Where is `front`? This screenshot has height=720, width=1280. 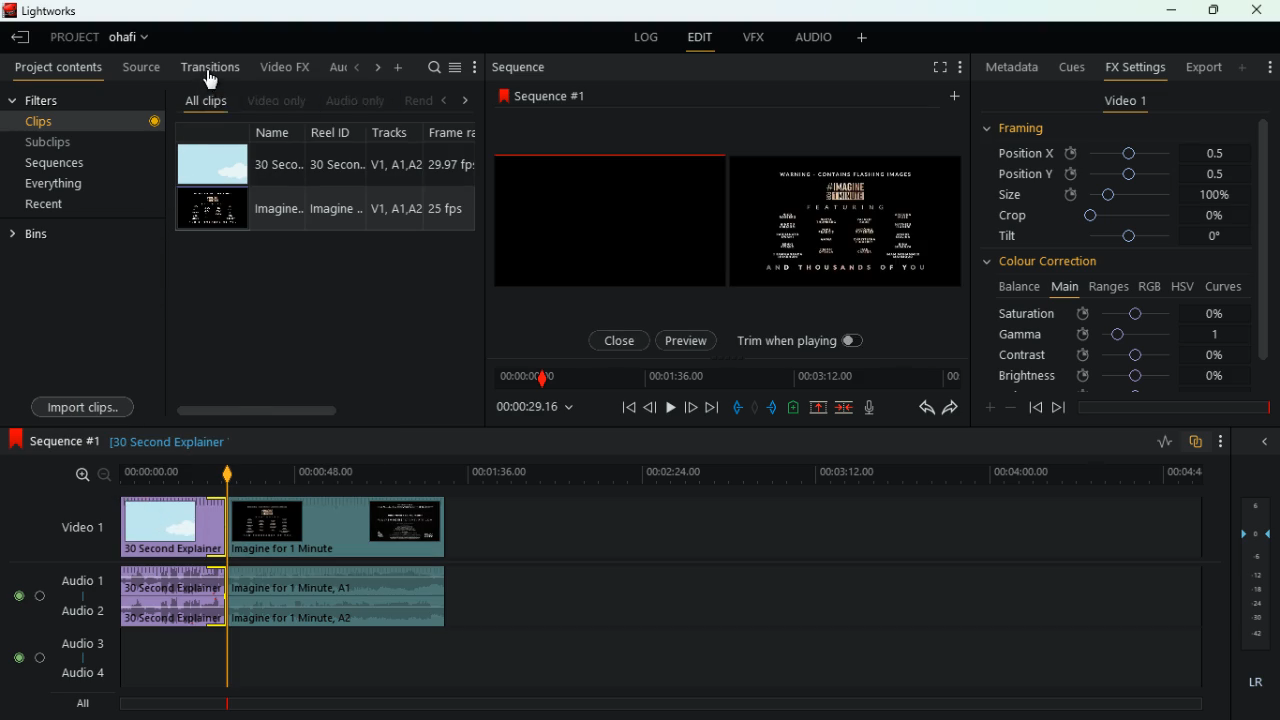
front is located at coordinates (1059, 407).